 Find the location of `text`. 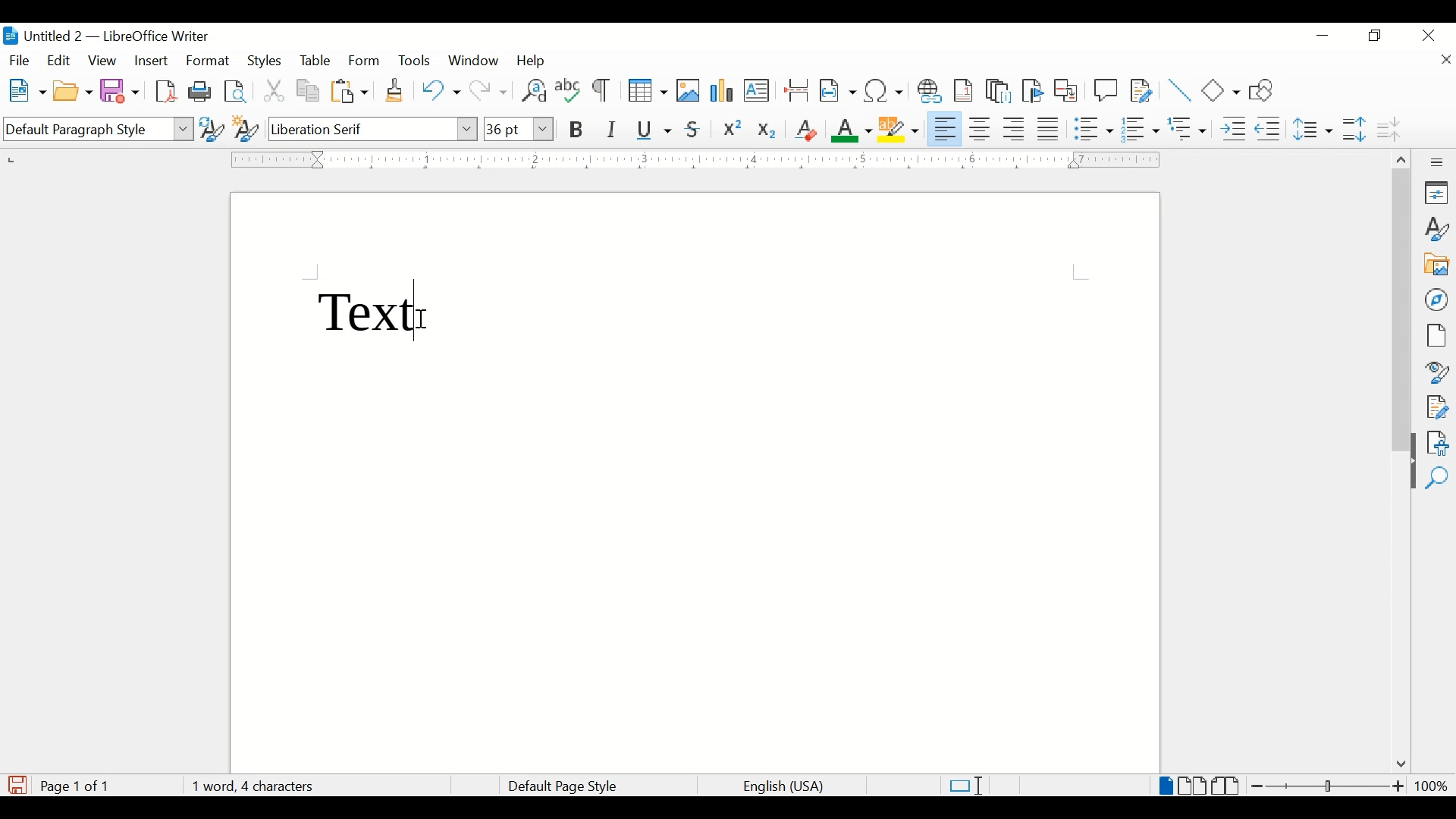

text is located at coordinates (369, 309).